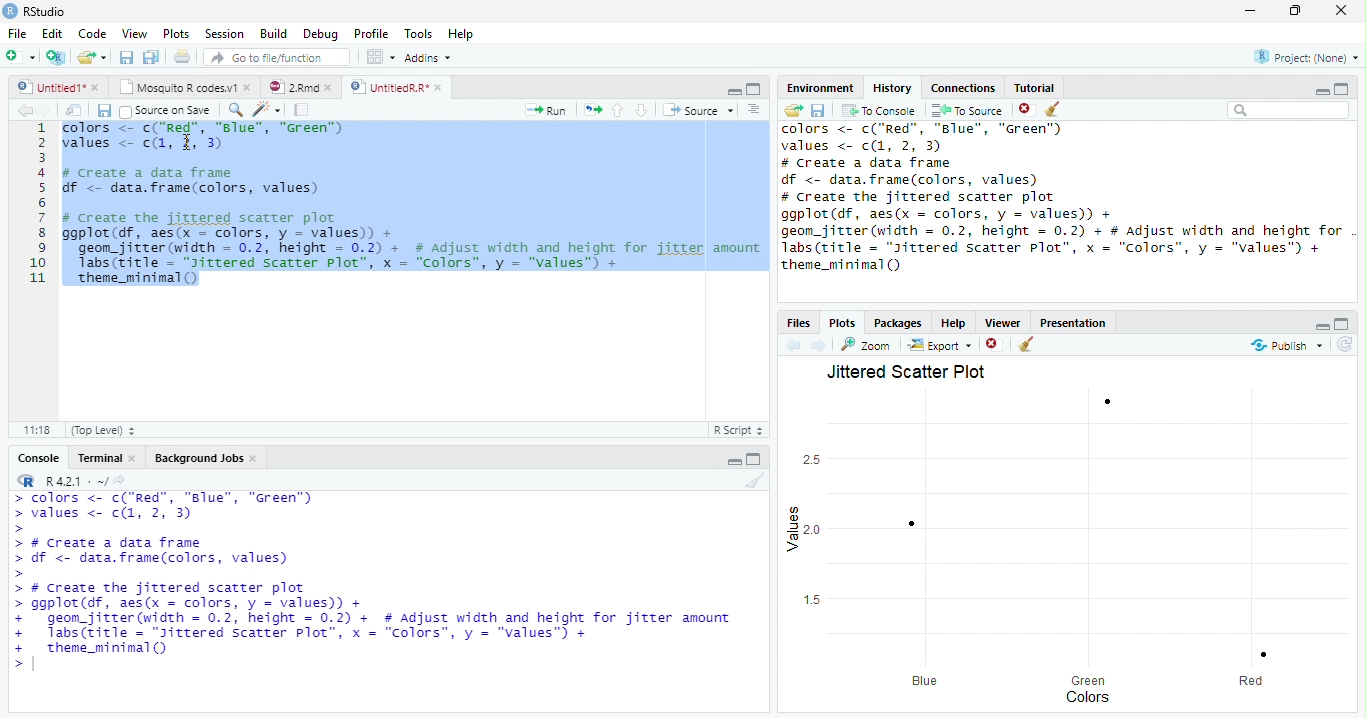 This screenshot has height=718, width=1366. What do you see at coordinates (461, 33) in the screenshot?
I see `Help` at bounding box center [461, 33].